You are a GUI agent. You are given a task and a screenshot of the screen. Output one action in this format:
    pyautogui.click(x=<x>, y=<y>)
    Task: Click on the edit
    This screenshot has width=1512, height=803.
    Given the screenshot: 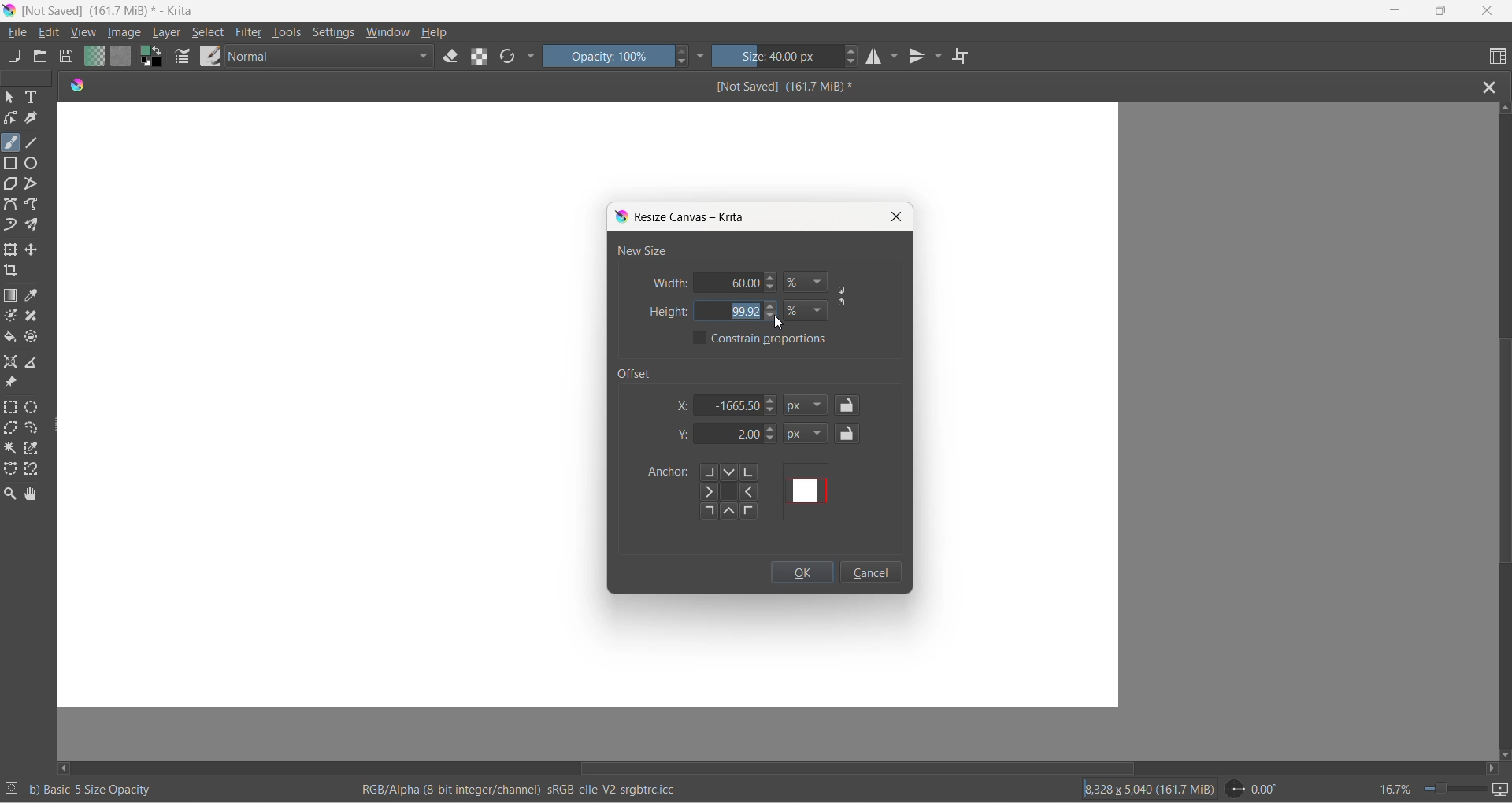 What is the action you would take?
    pyautogui.click(x=53, y=33)
    